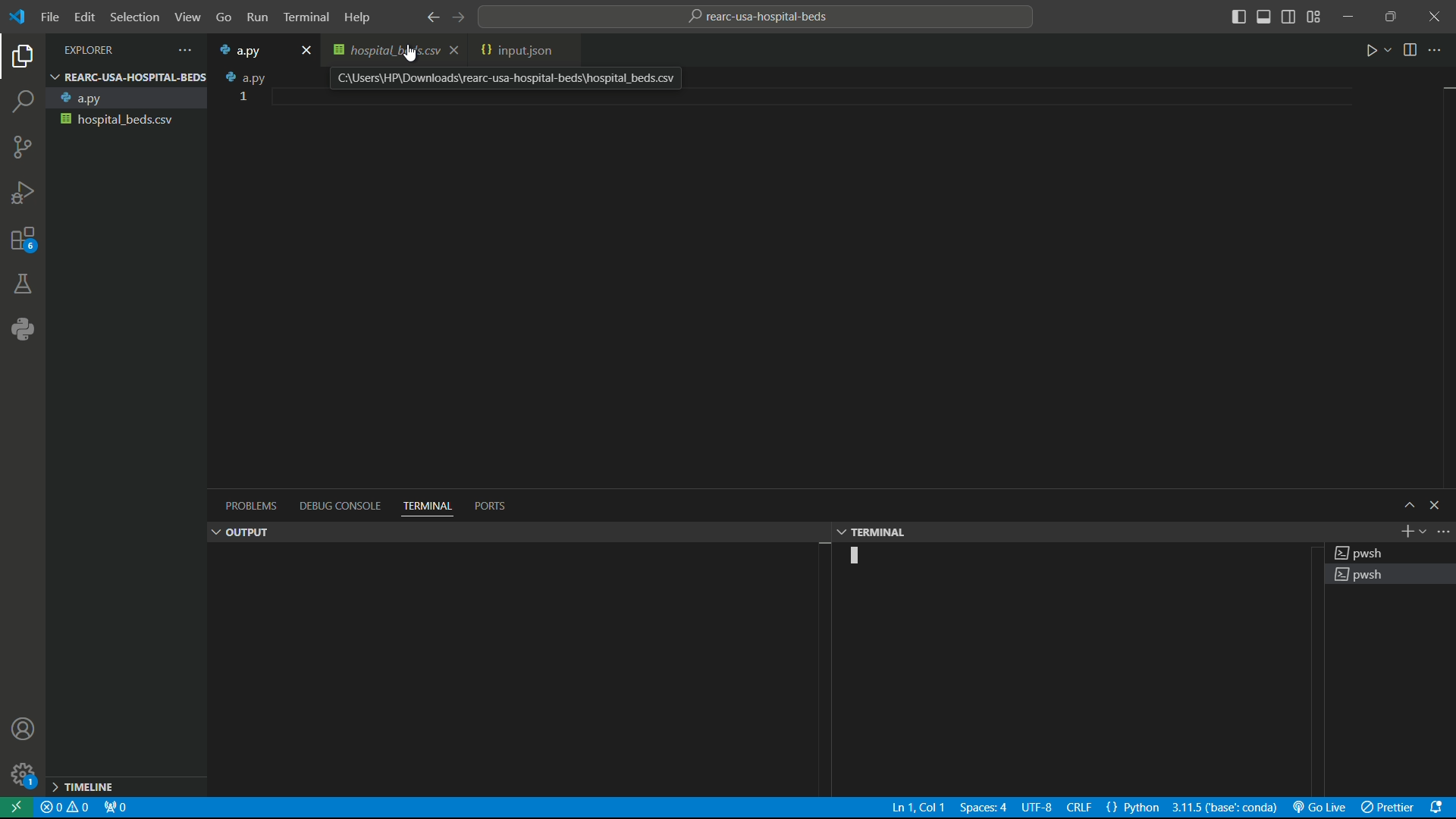 The height and width of the screenshot is (819, 1456). What do you see at coordinates (1392, 809) in the screenshot?
I see `prettier extention` at bounding box center [1392, 809].